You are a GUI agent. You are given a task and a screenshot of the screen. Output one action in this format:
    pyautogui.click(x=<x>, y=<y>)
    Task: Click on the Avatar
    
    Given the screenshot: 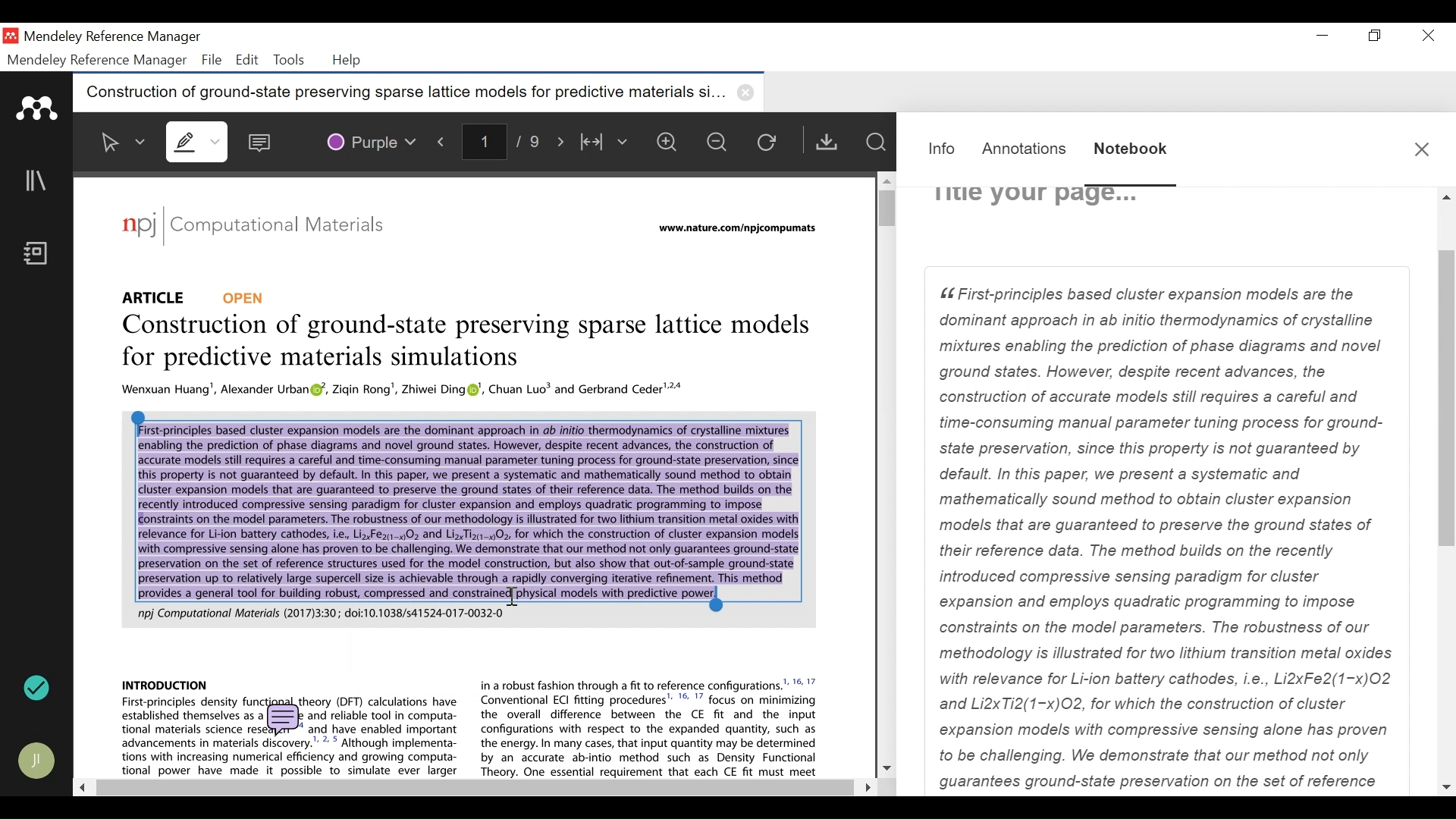 What is the action you would take?
    pyautogui.click(x=38, y=761)
    